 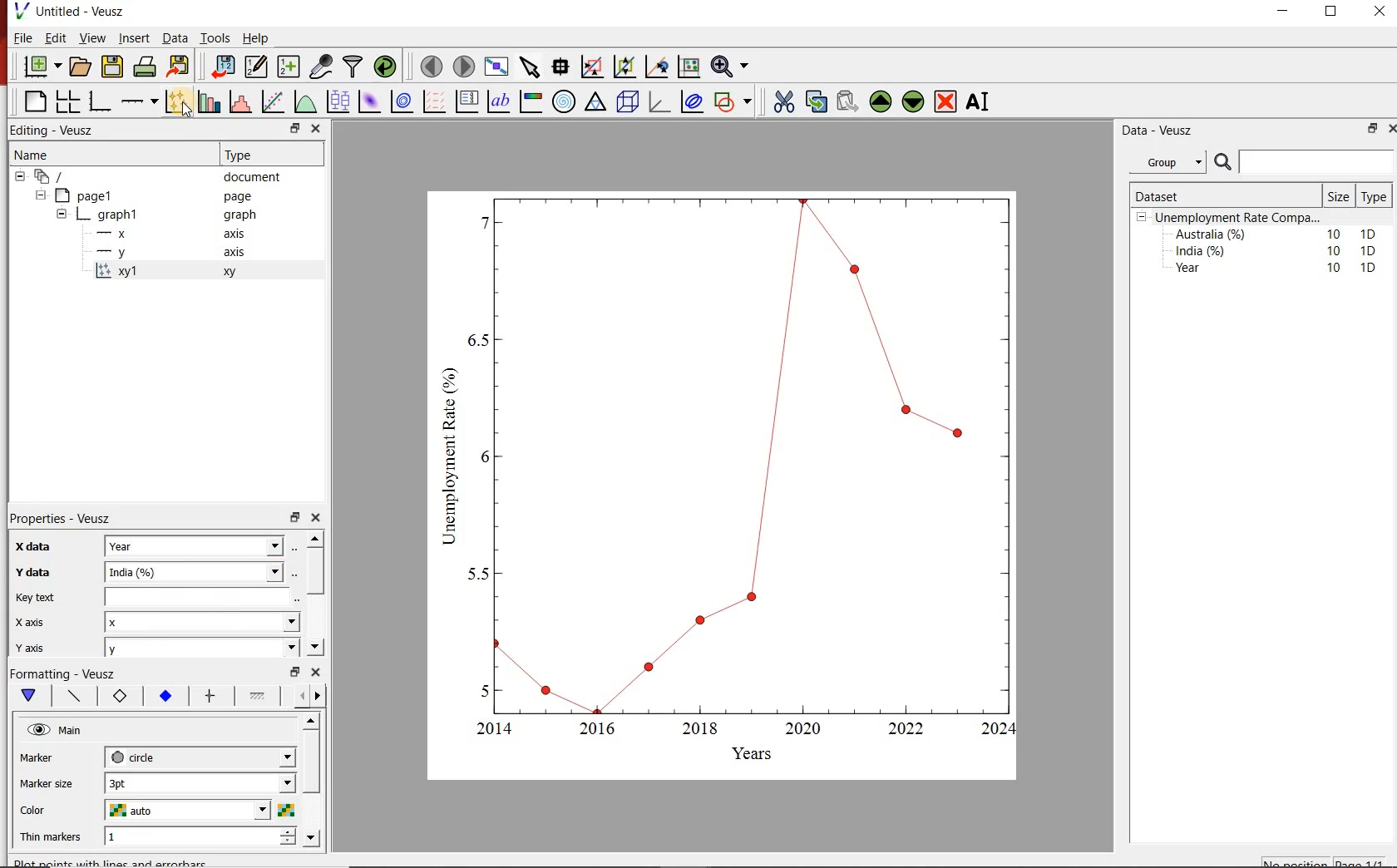 What do you see at coordinates (625, 65) in the screenshot?
I see `click to zoom out graph axes` at bounding box center [625, 65].